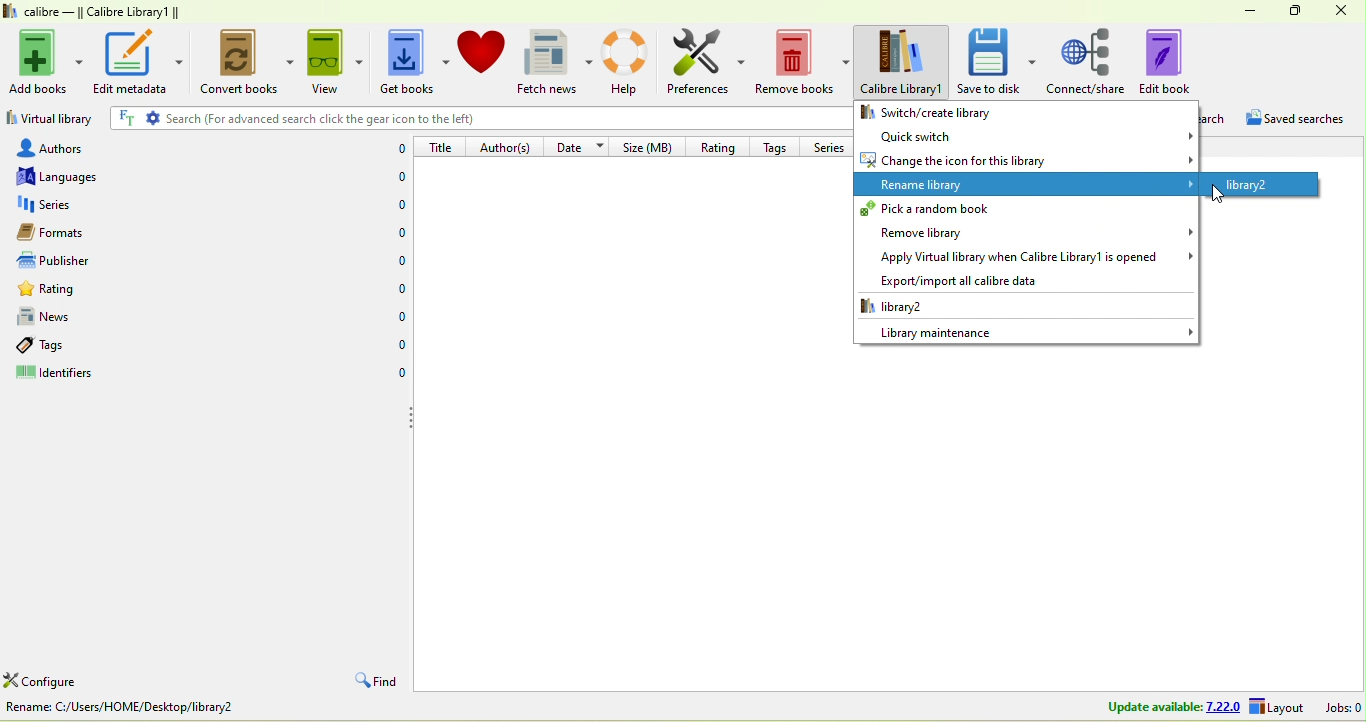 This screenshot has height=722, width=1366. Describe the element at coordinates (831, 146) in the screenshot. I see `series` at that location.